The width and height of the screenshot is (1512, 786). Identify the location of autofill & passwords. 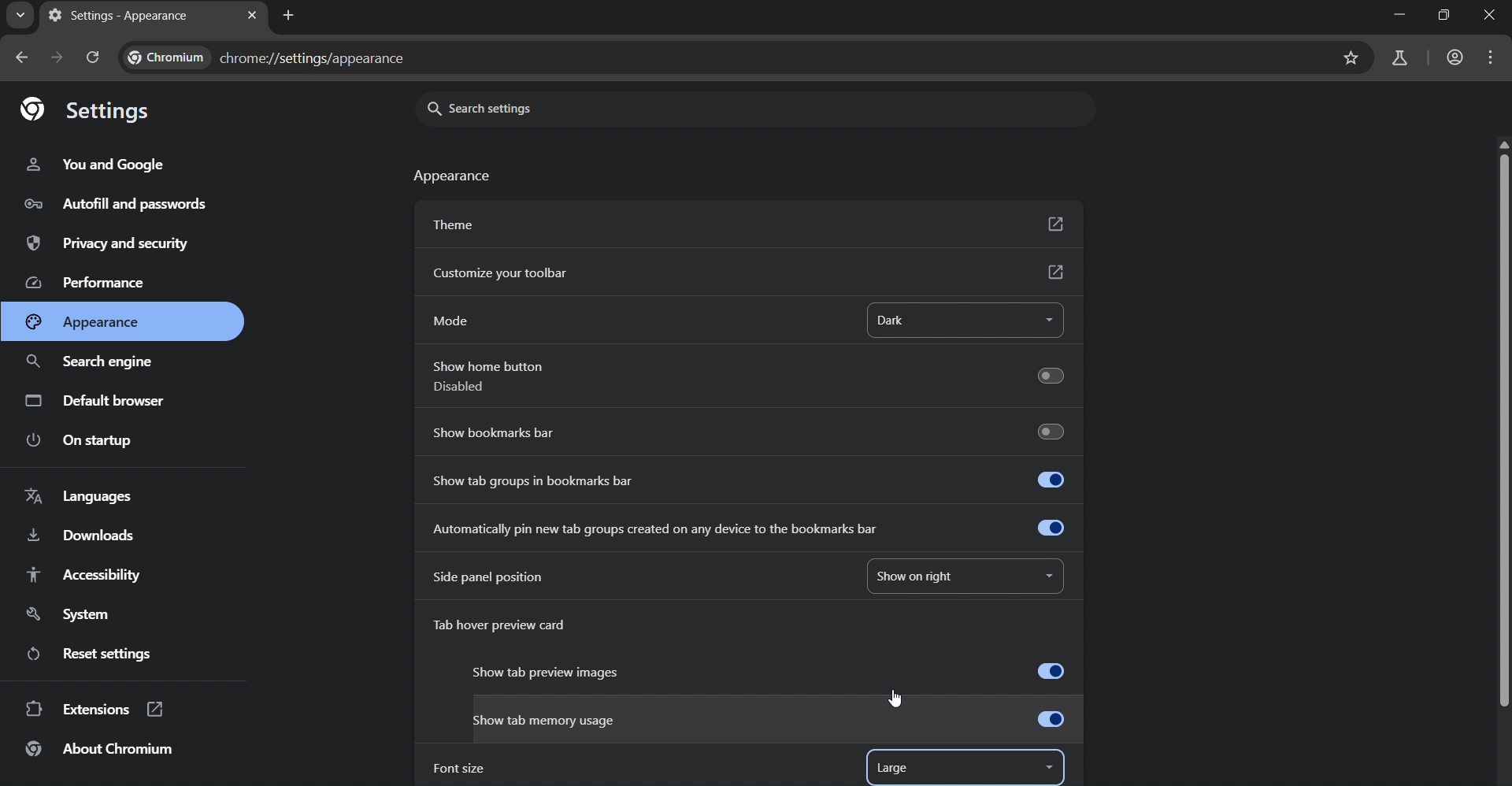
(129, 206).